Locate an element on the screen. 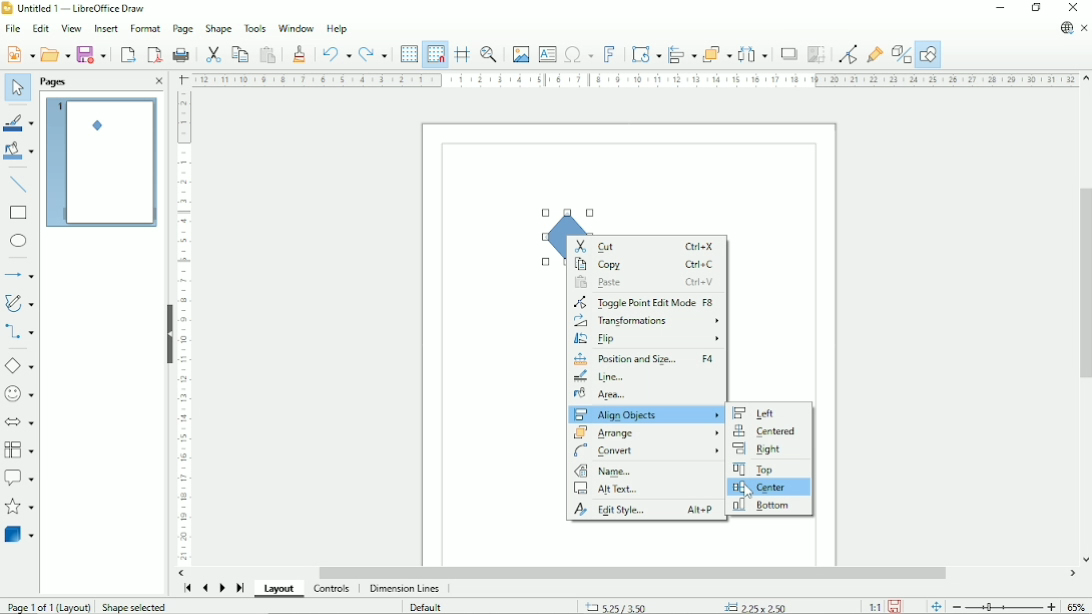 The height and width of the screenshot is (614, 1092). Copy is located at coordinates (241, 54).